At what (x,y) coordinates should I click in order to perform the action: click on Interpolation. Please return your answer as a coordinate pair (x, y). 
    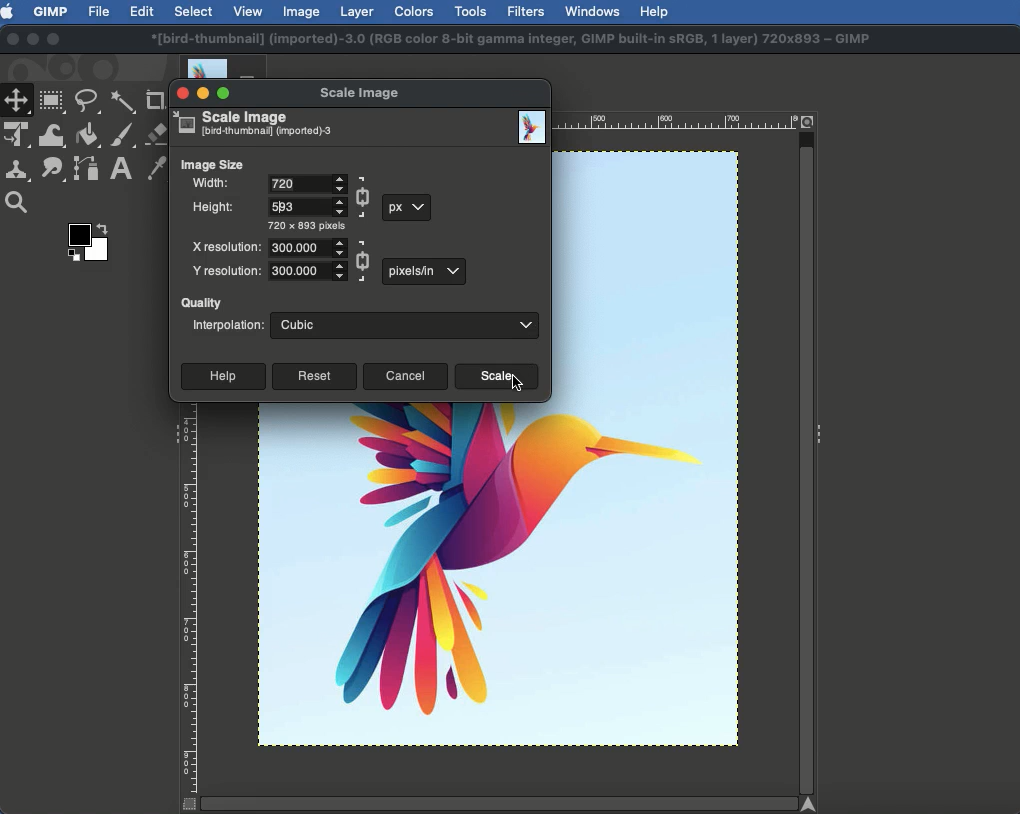
    Looking at the image, I should click on (223, 327).